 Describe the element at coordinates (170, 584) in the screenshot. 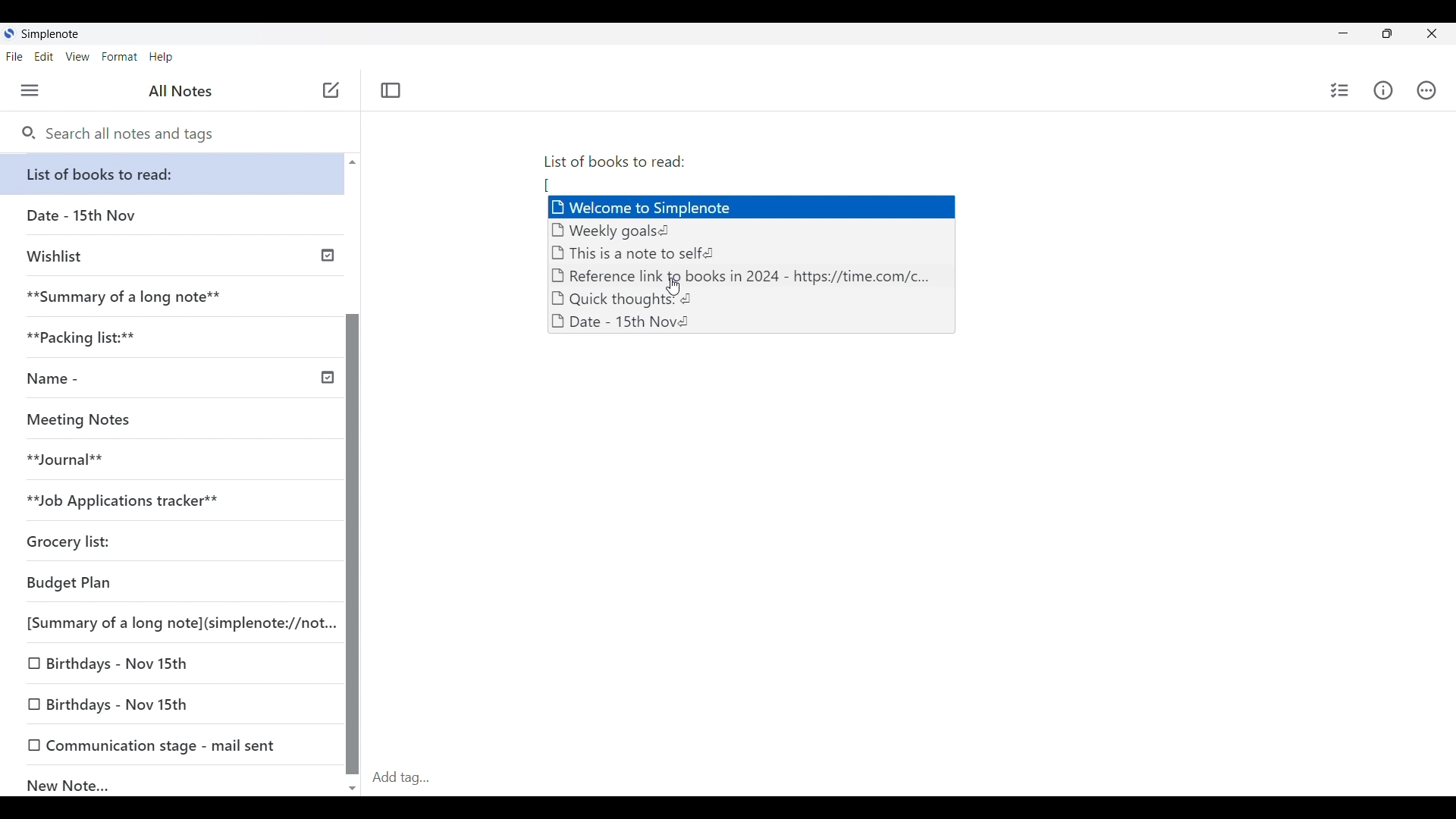

I see `Budget Plan` at that location.